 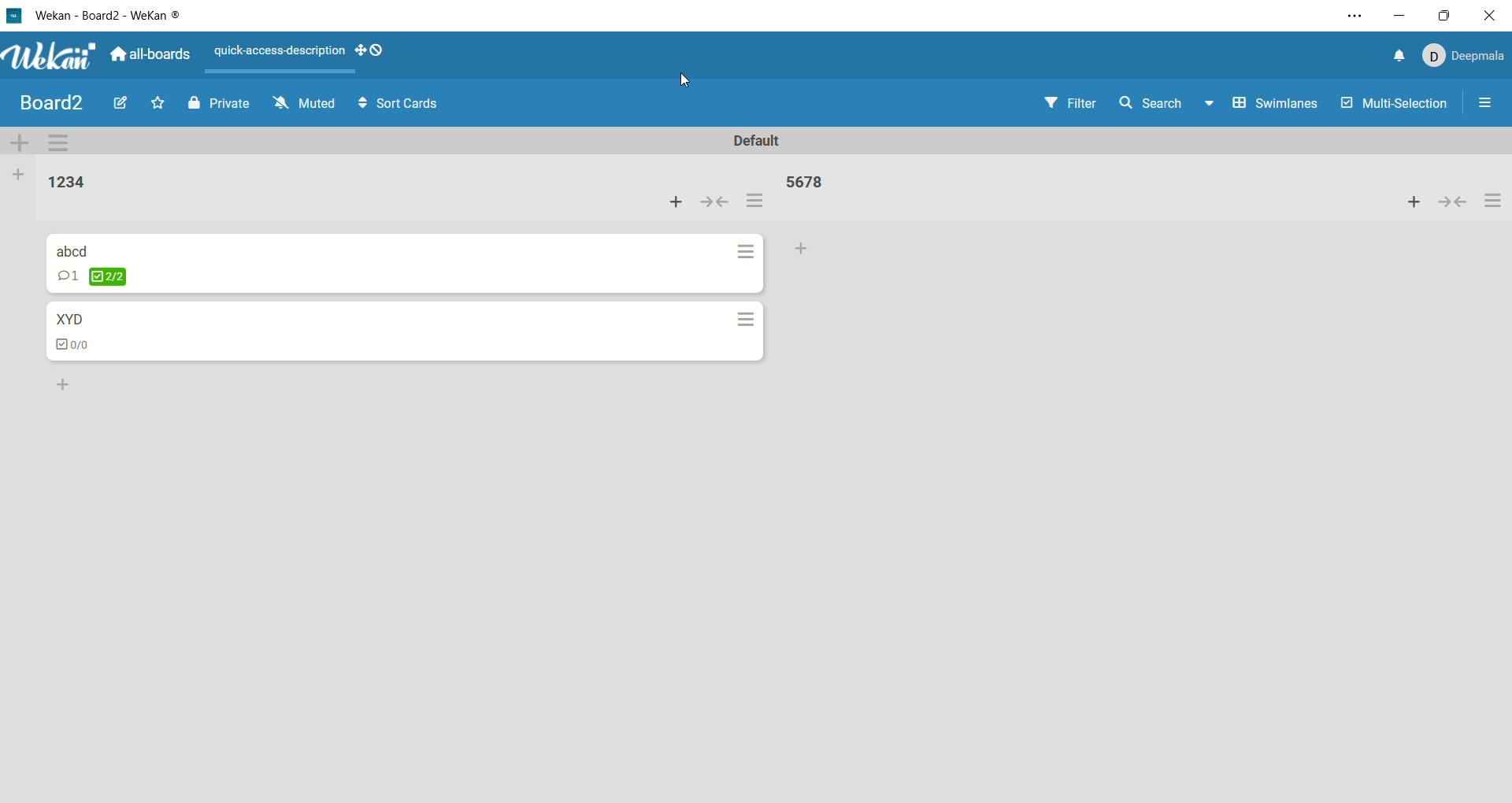 I want to click on list title, so click(x=62, y=181).